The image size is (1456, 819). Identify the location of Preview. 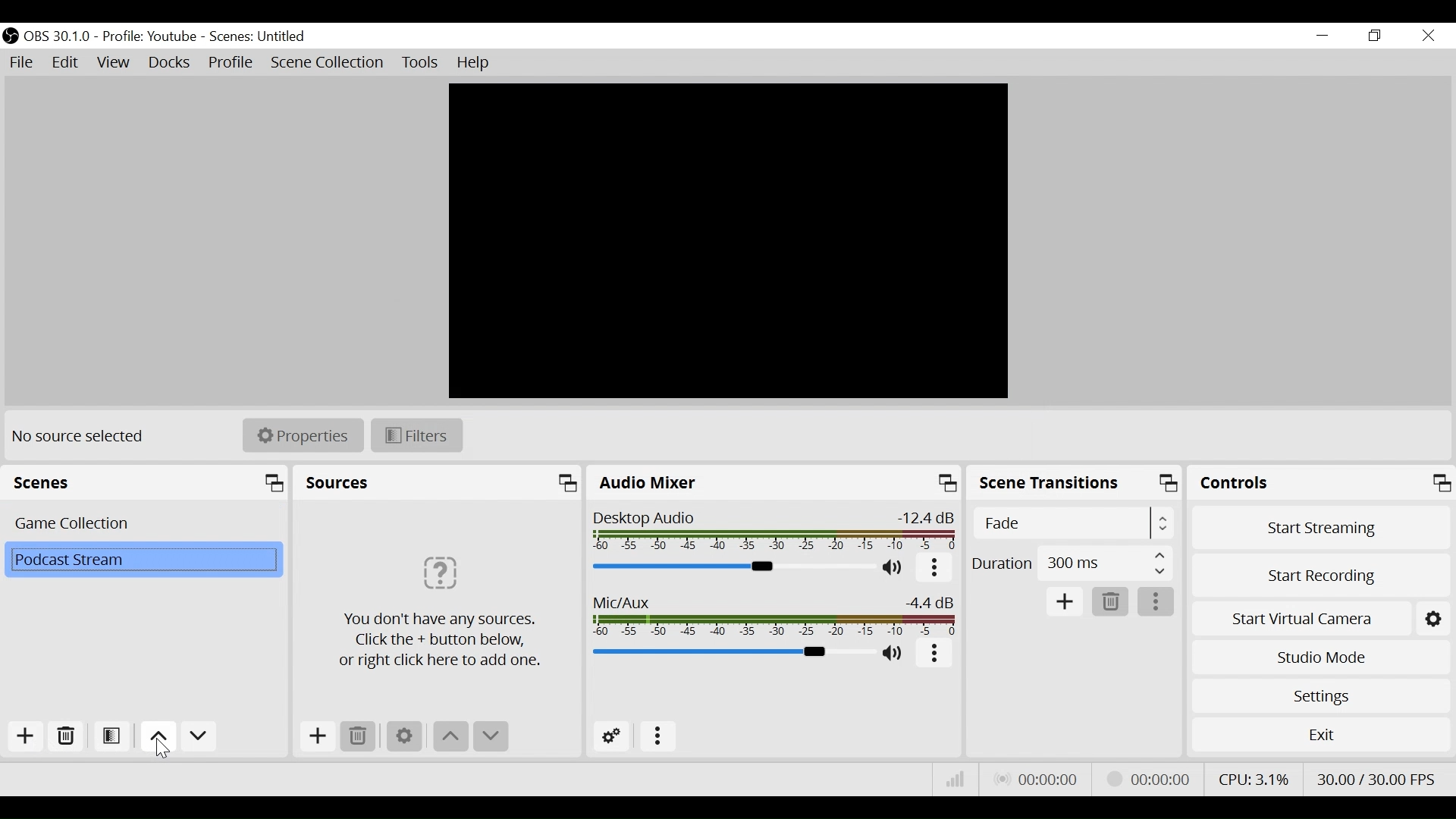
(730, 241).